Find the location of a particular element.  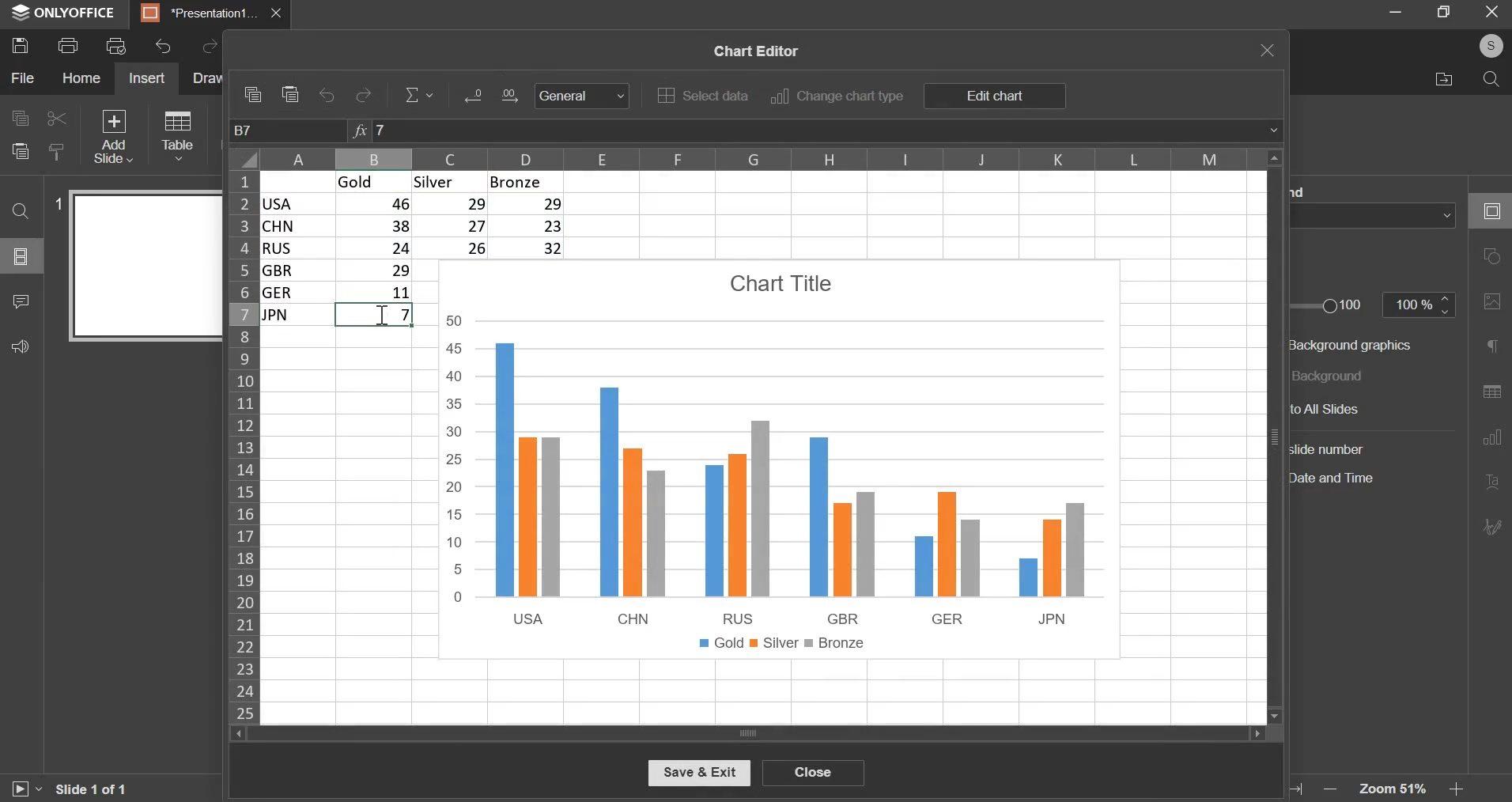

insert is located at coordinates (146, 78).